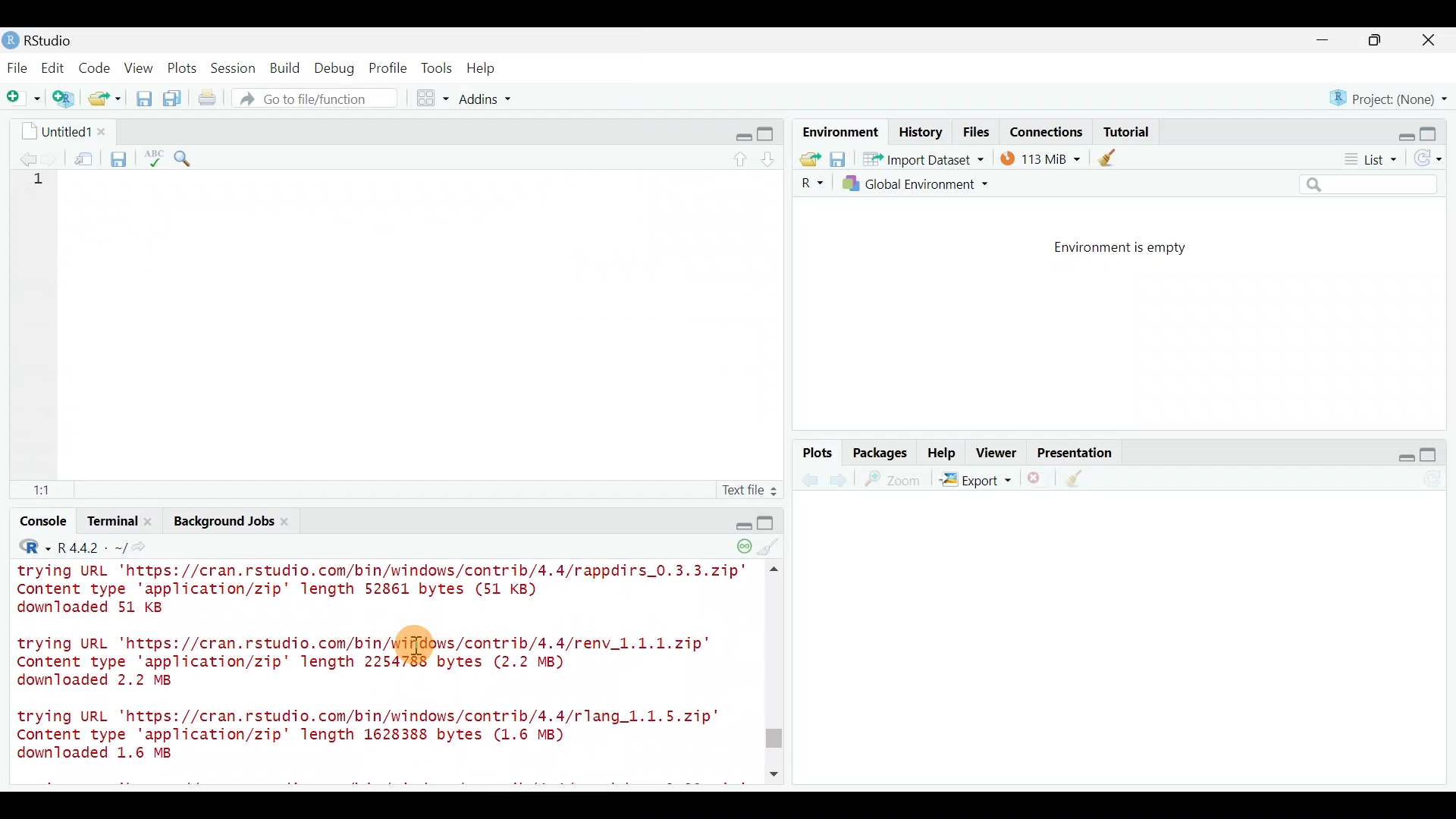  Describe the element at coordinates (810, 184) in the screenshot. I see `R` at that location.